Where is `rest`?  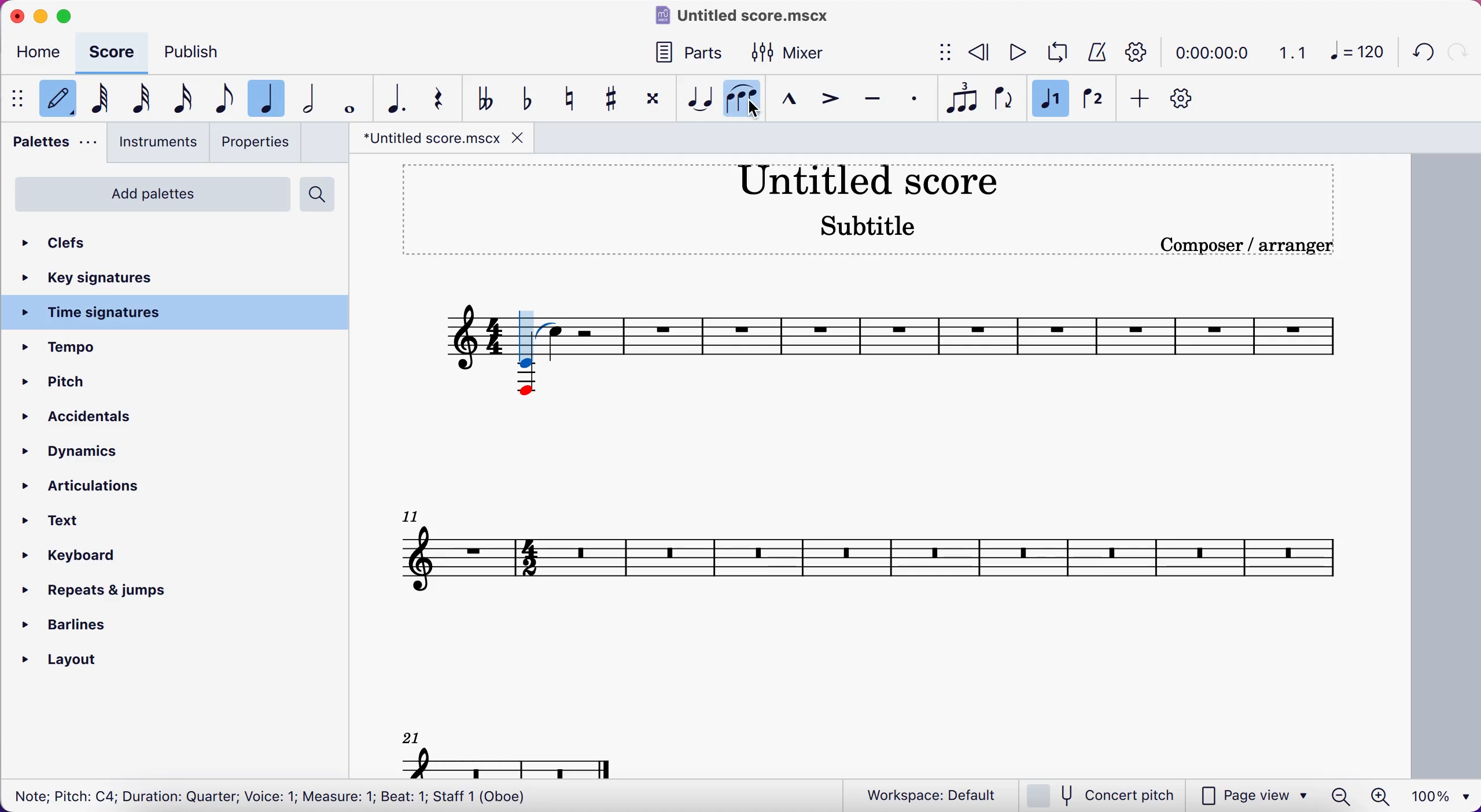 rest is located at coordinates (446, 101).